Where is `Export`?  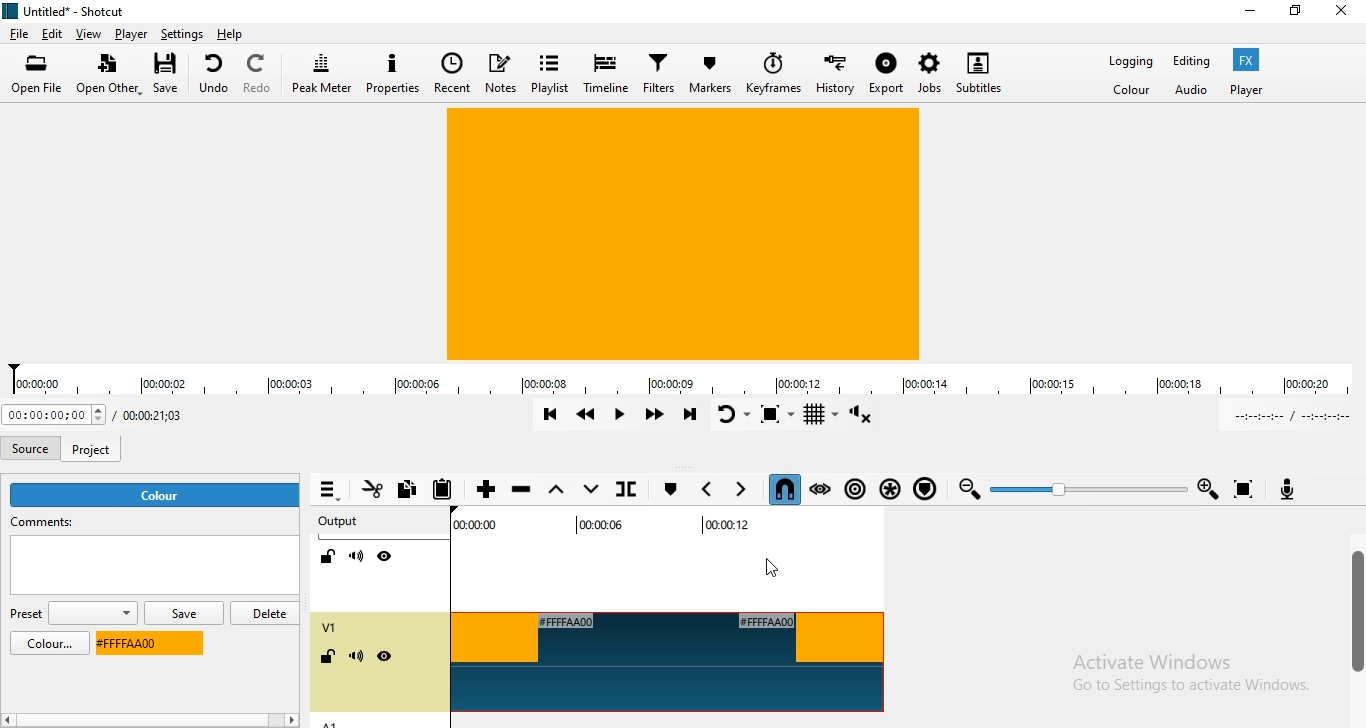
Export is located at coordinates (885, 77).